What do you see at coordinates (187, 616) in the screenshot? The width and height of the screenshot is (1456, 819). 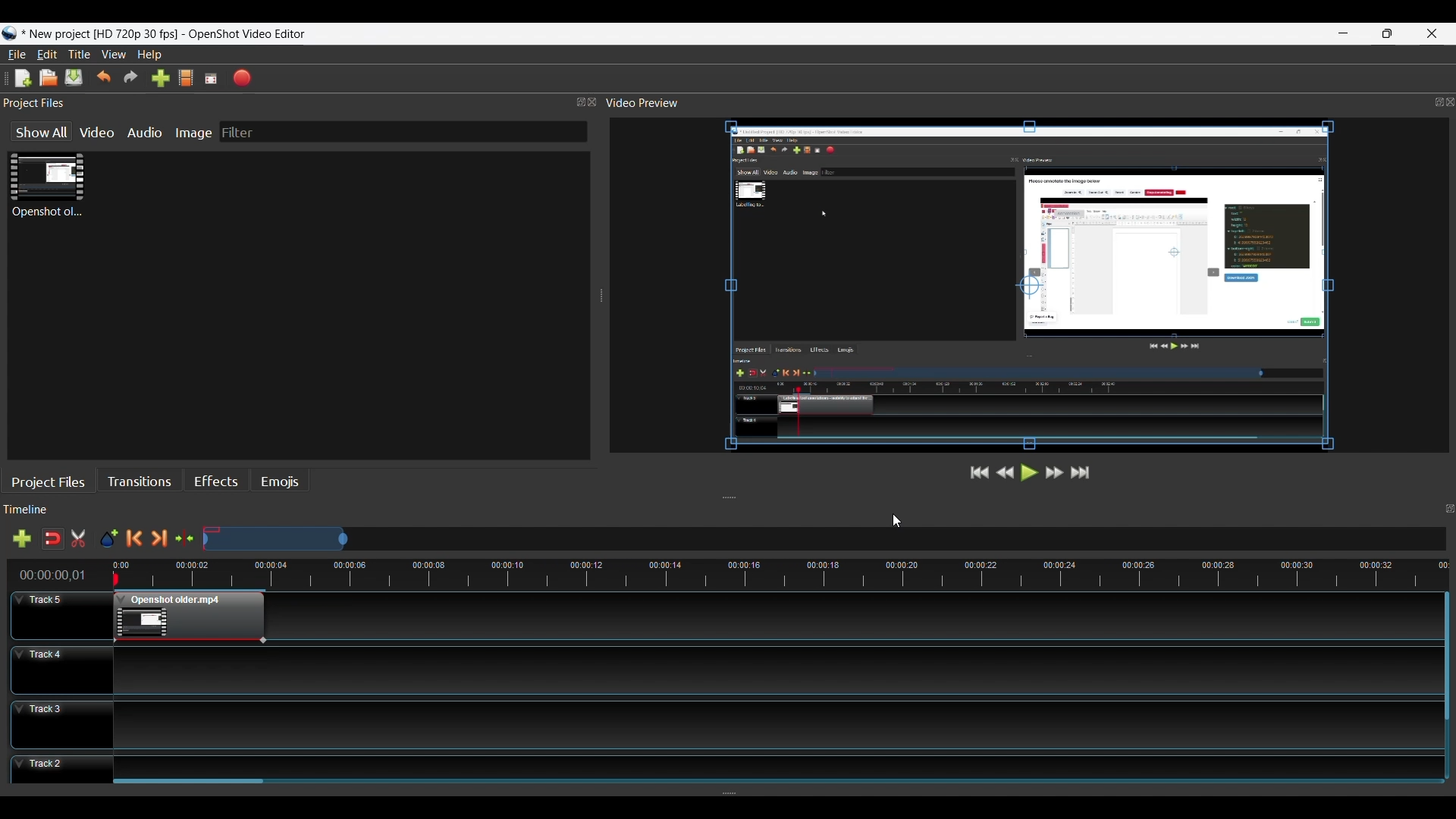 I see `Clip at the Track Panel` at bounding box center [187, 616].